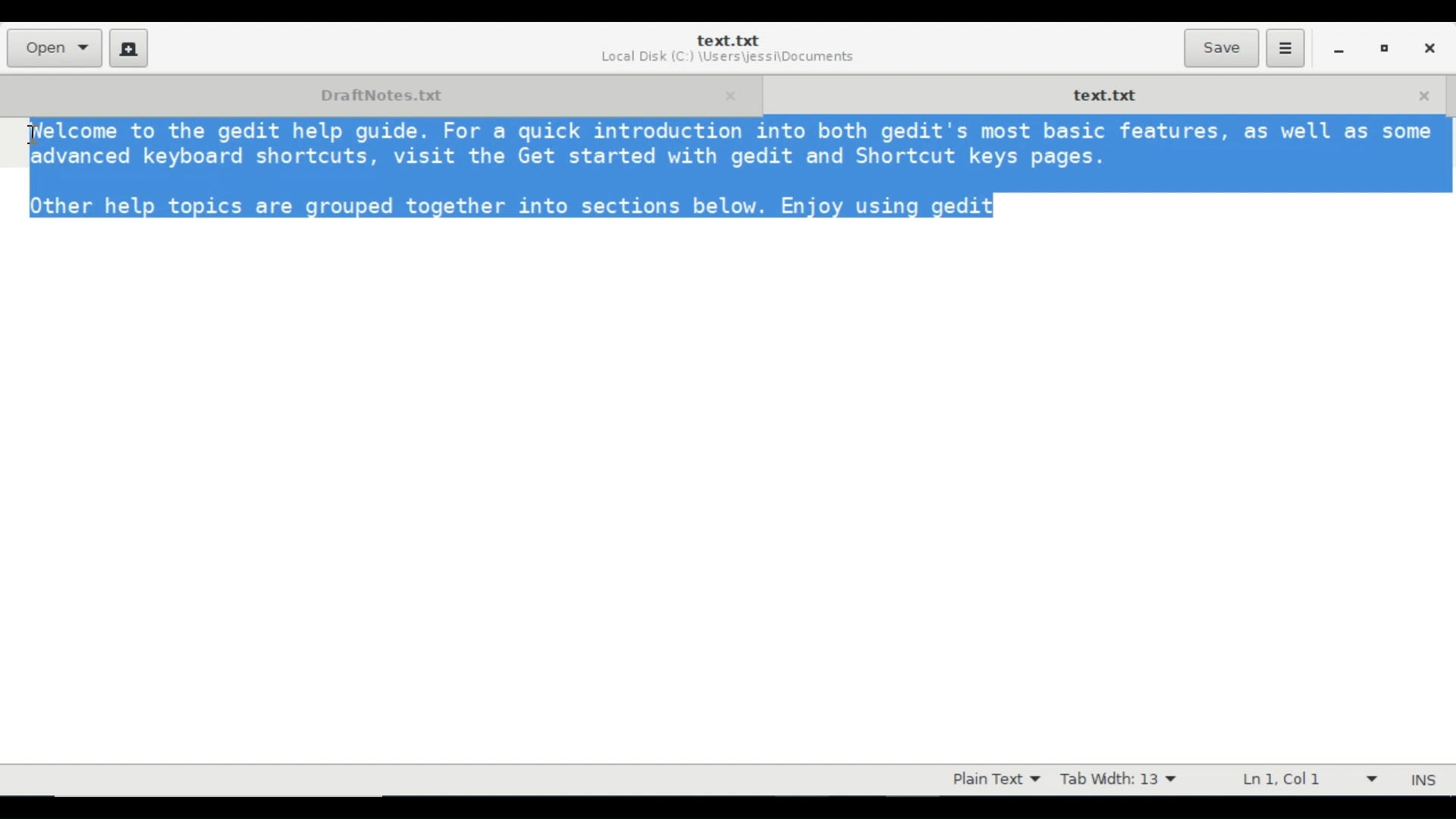 The width and height of the screenshot is (1456, 819). I want to click on Create New, so click(129, 48).